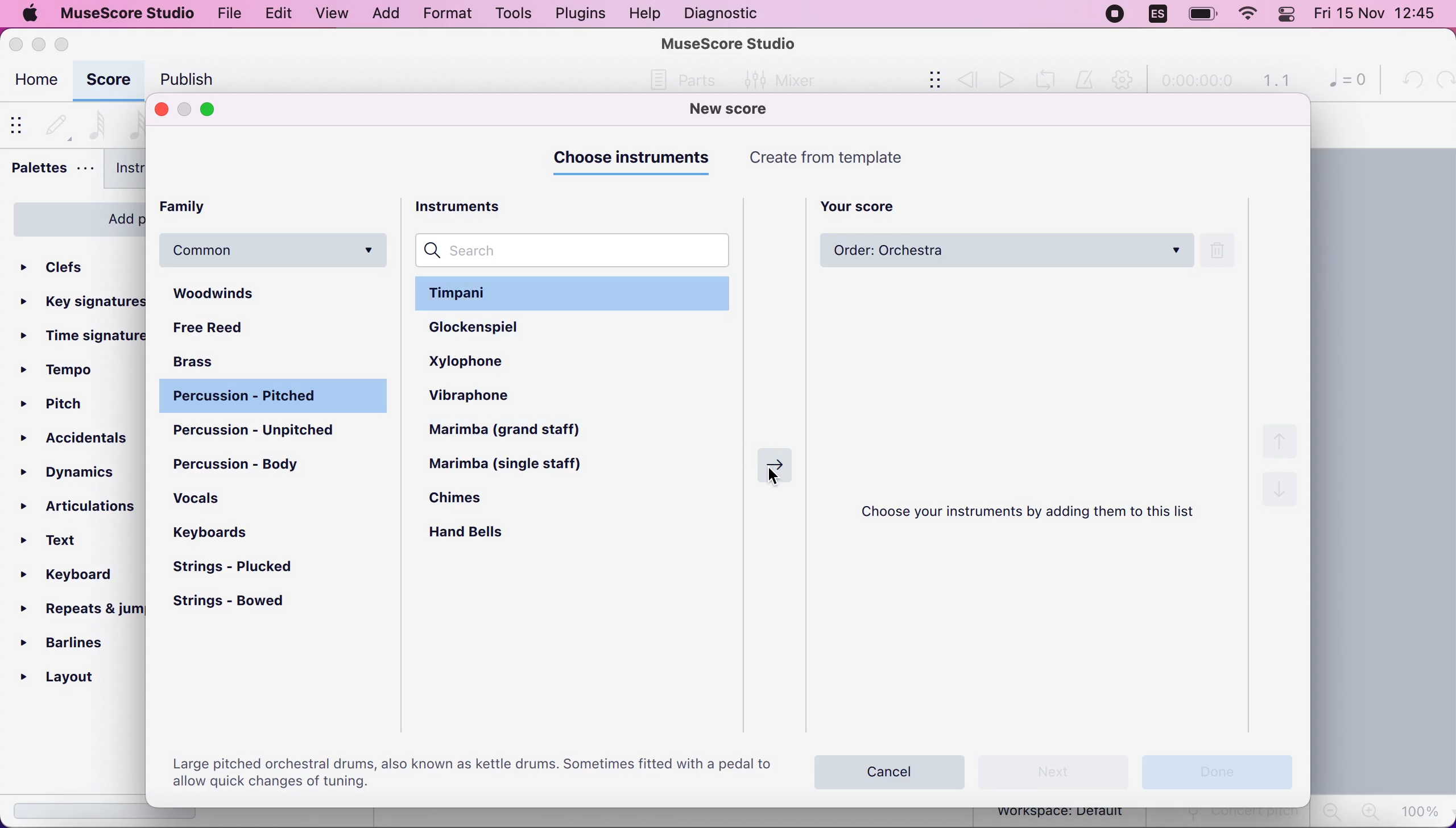 The image size is (1456, 828). What do you see at coordinates (1198, 15) in the screenshot?
I see `battery` at bounding box center [1198, 15].